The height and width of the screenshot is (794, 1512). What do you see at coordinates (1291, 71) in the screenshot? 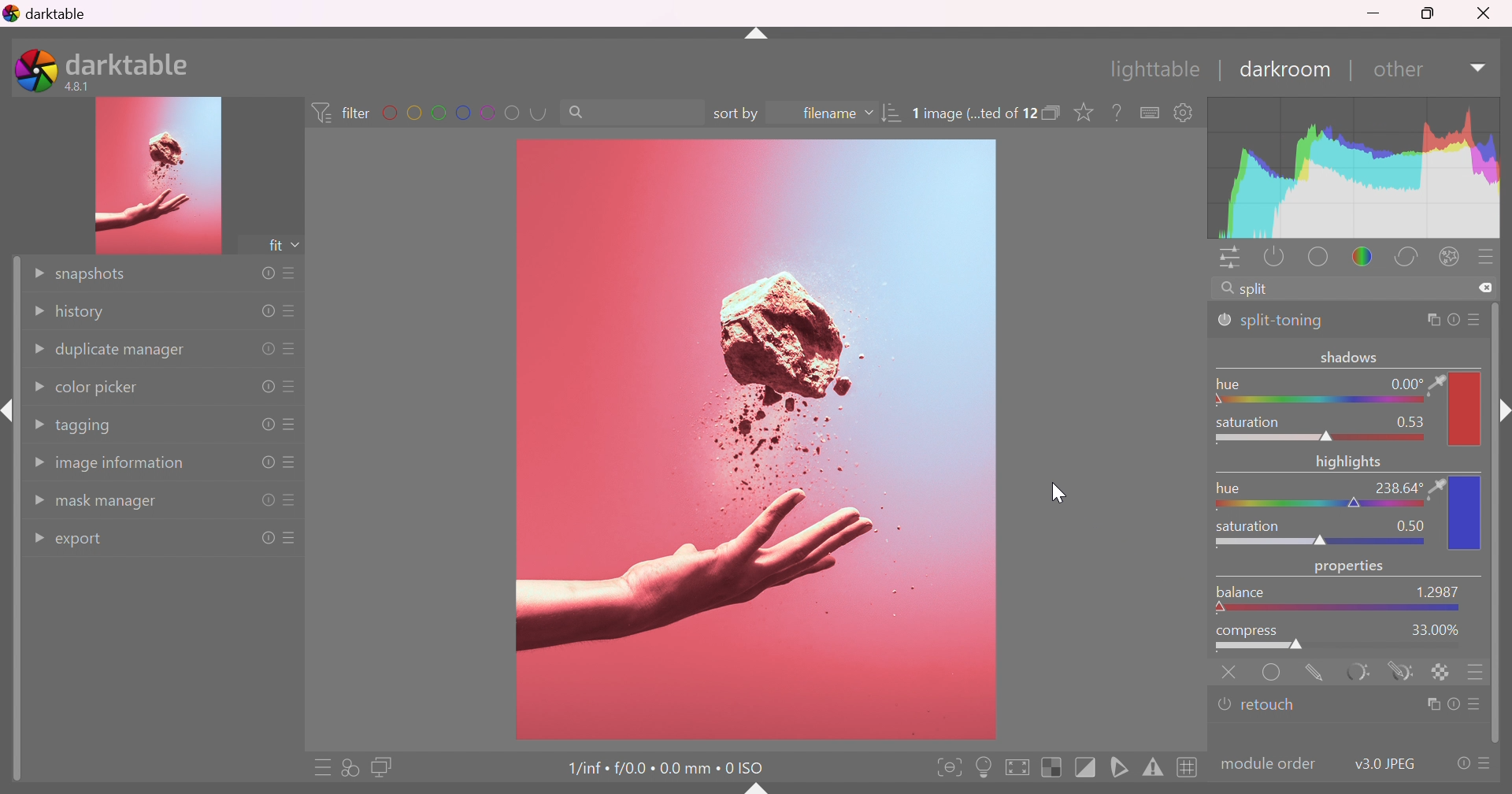
I see `darkroom` at bounding box center [1291, 71].